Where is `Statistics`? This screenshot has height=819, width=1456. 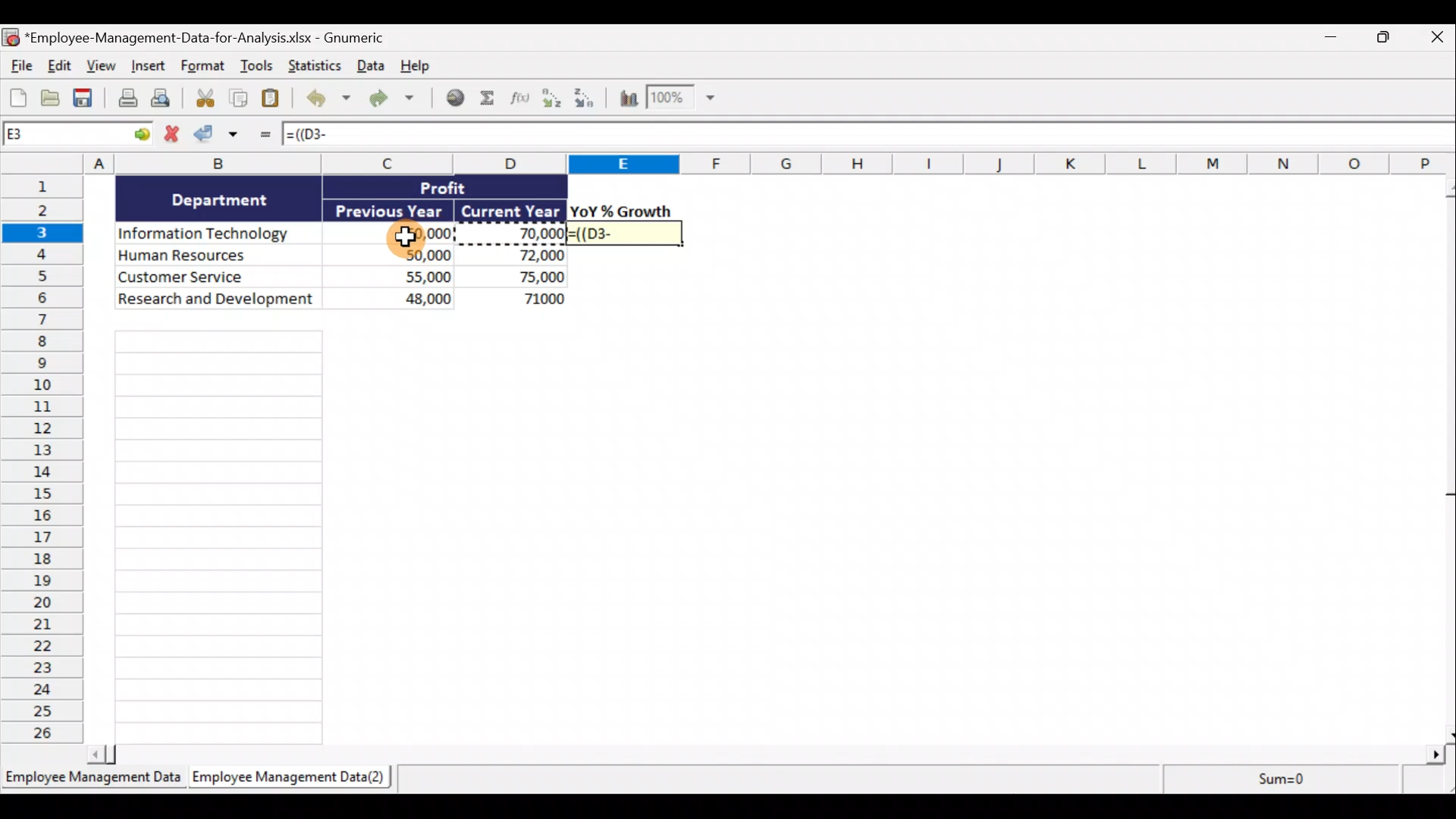
Statistics is located at coordinates (312, 66).